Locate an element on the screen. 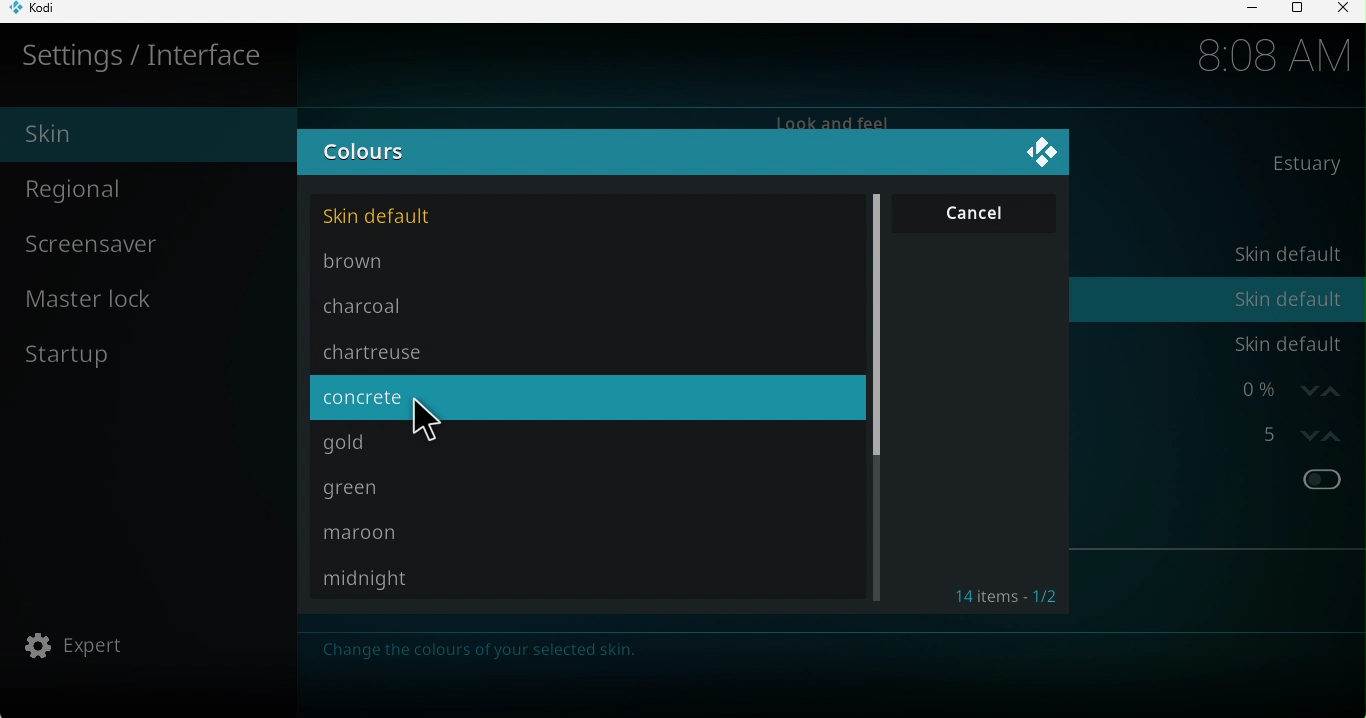 This screenshot has width=1366, height=718. Regional is located at coordinates (117, 191).